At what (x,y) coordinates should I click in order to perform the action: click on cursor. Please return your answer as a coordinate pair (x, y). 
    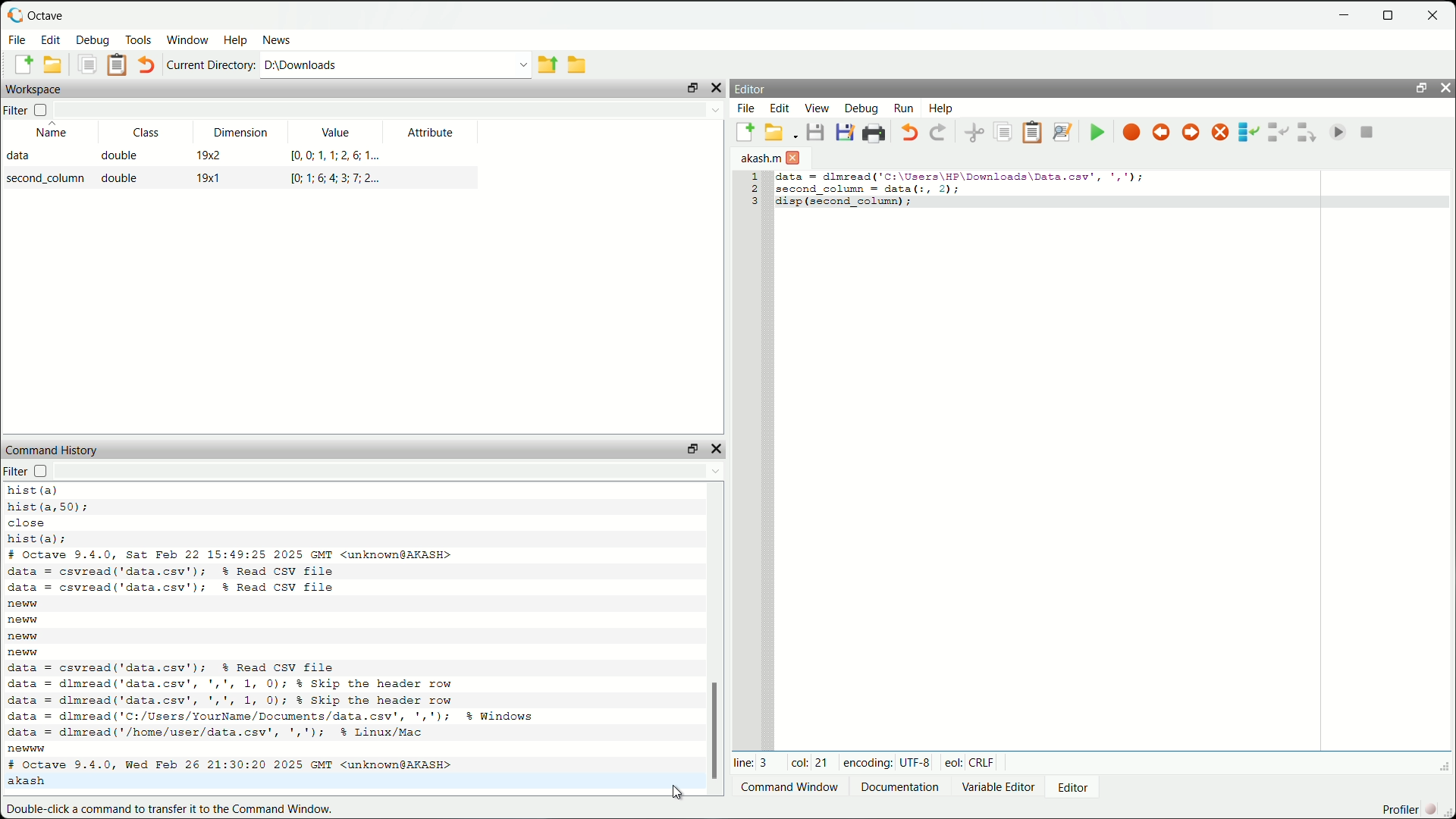
    Looking at the image, I should click on (681, 791).